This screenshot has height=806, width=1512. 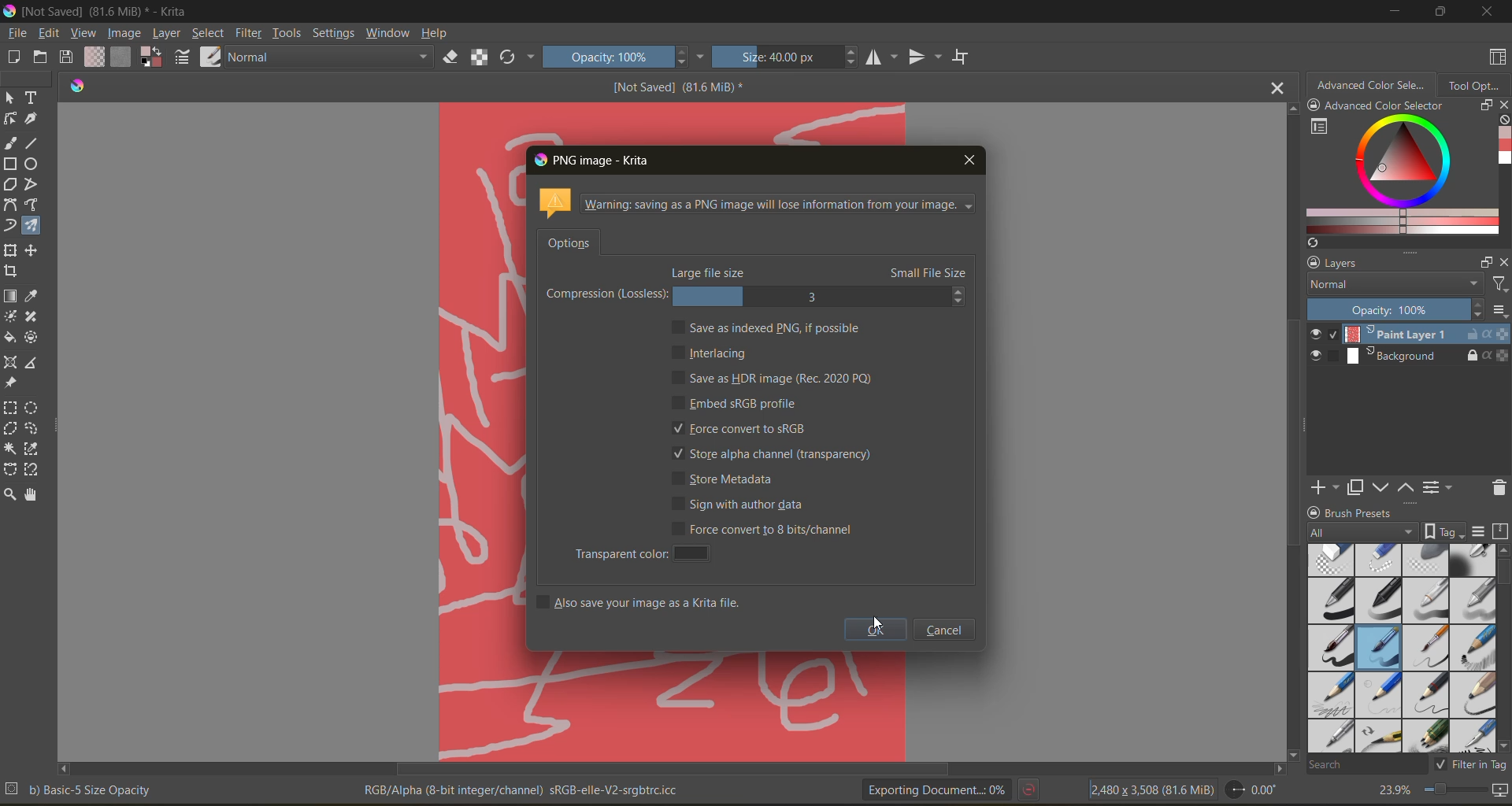 What do you see at coordinates (1310, 263) in the screenshot?
I see `lock/unlock docker` at bounding box center [1310, 263].